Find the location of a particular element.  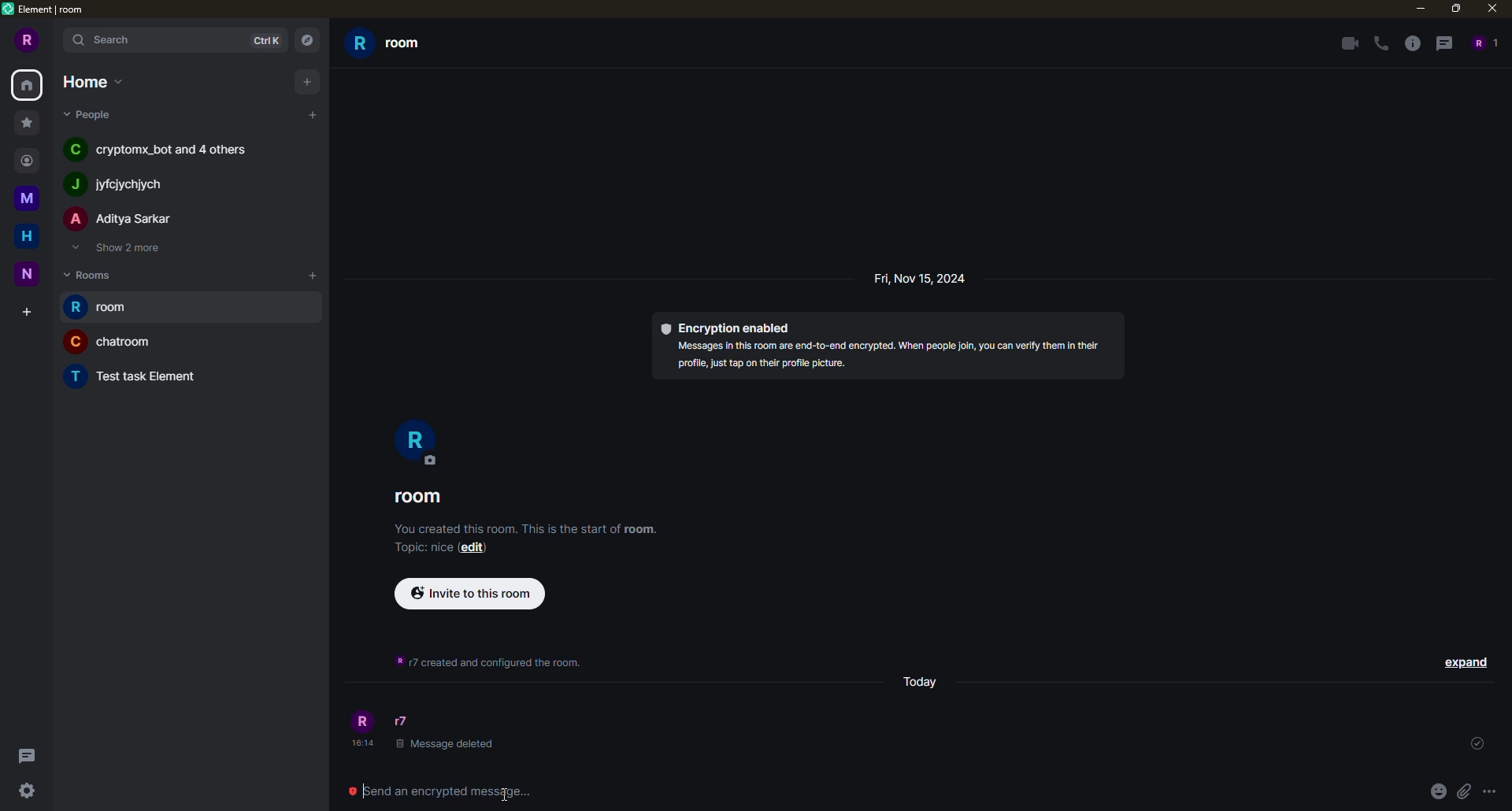

people is located at coordinates (1487, 43).